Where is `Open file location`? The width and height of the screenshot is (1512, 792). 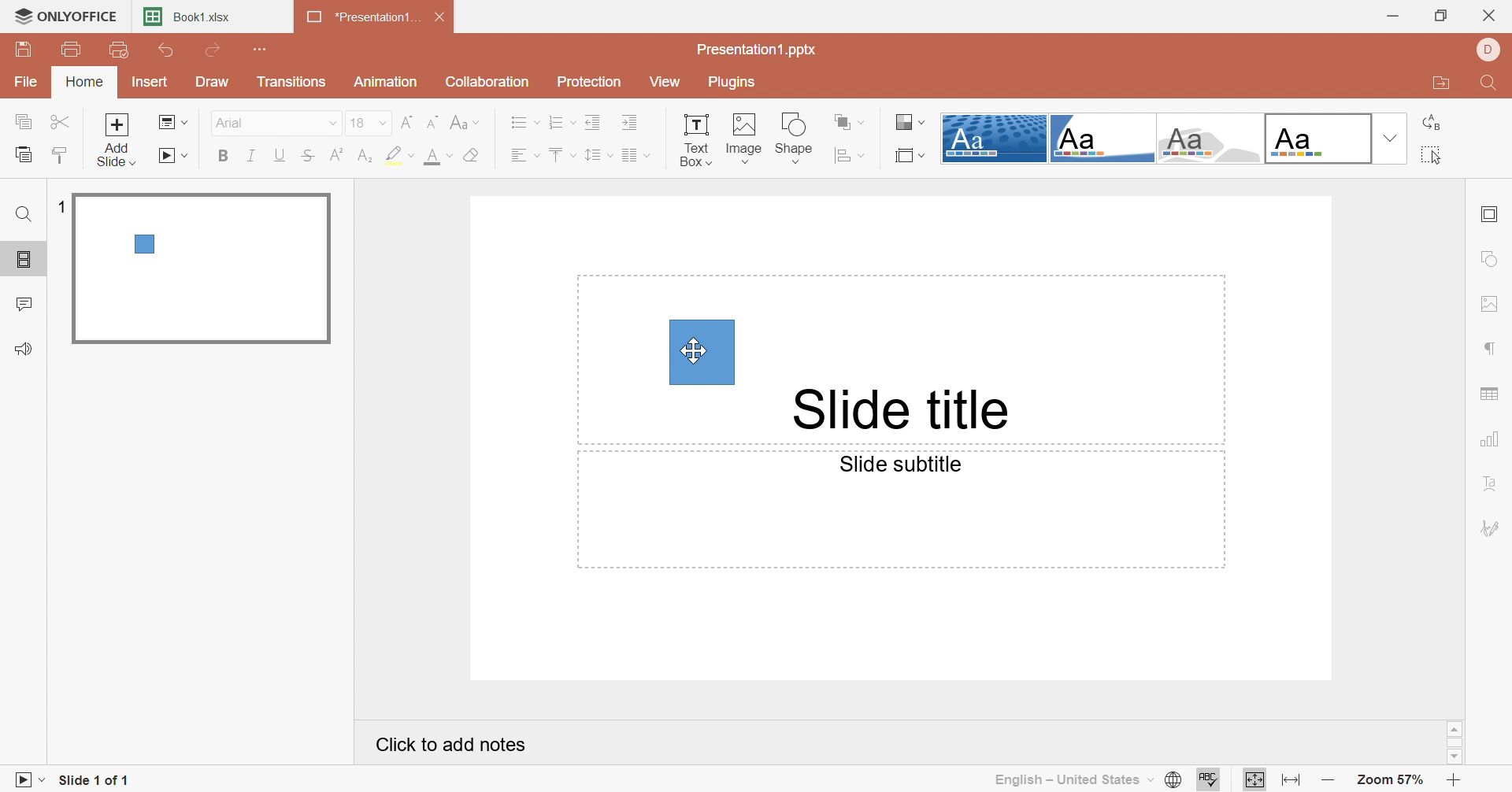 Open file location is located at coordinates (1436, 85).